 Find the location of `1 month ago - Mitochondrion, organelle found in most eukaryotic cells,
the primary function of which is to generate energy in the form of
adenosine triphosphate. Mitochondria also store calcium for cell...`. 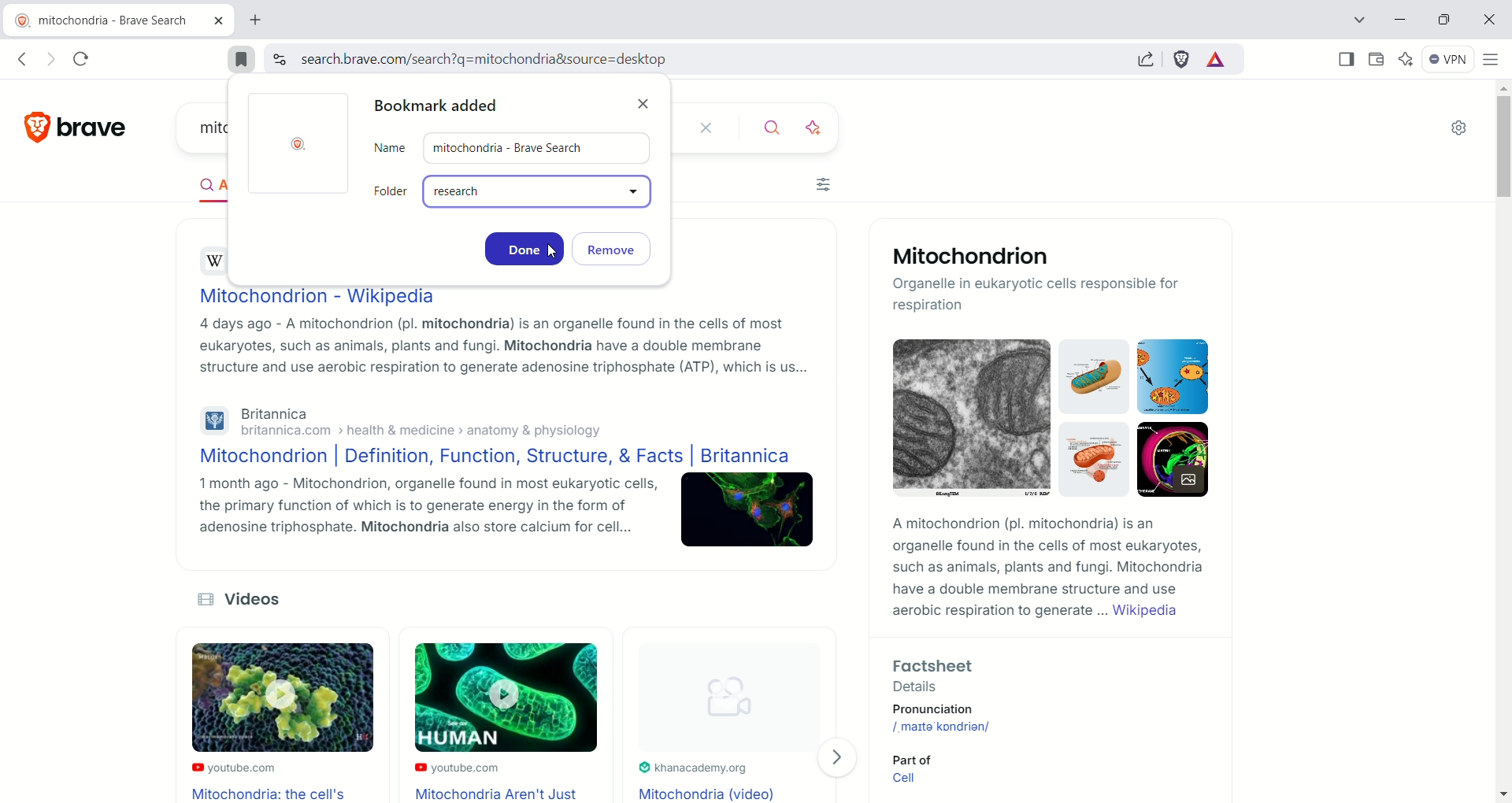

1 month ago - Mitochondrion, organelle found in most eukaryotic cells,
the primary function of which is to generate energy in the form of
adenosine triphosphate. Mitochondria also store calcium for cell... is located at coordinates (413, 511).